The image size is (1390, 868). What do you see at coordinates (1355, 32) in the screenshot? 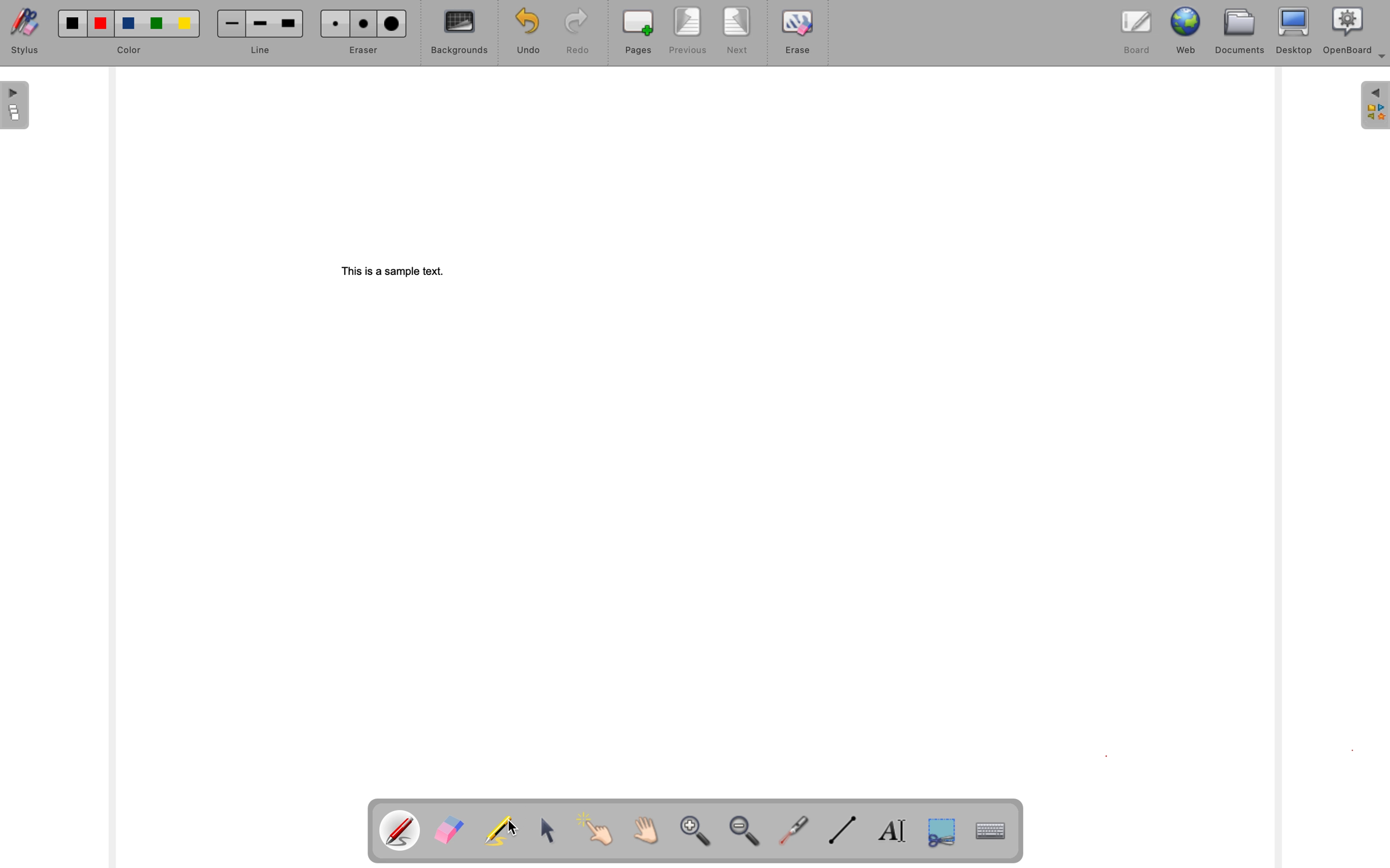
I see `OpenBoard` at bounding box center [1355, 32].